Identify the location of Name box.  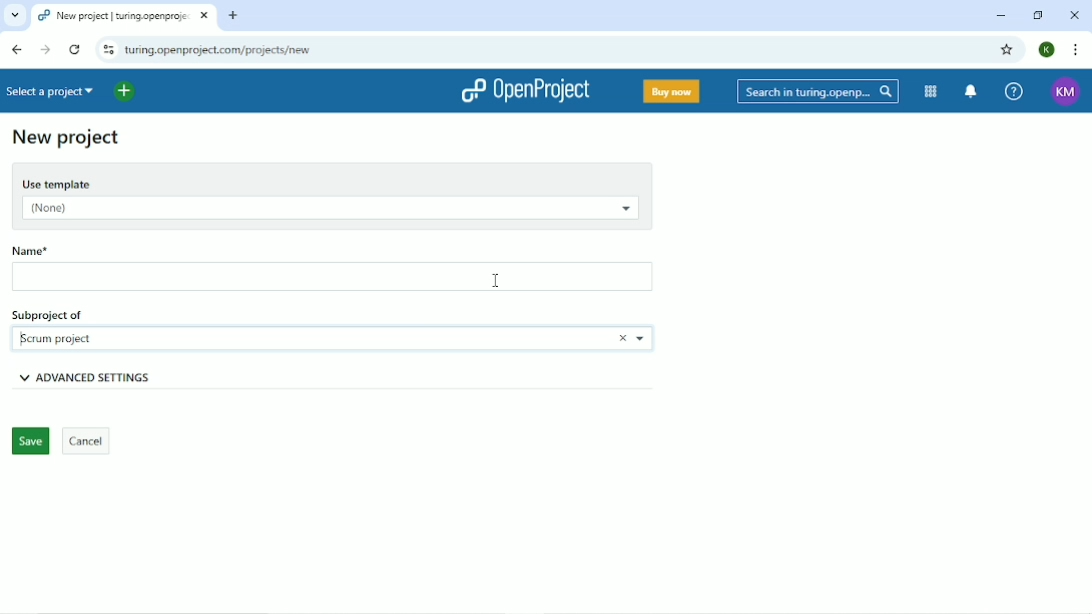
(335, 278).